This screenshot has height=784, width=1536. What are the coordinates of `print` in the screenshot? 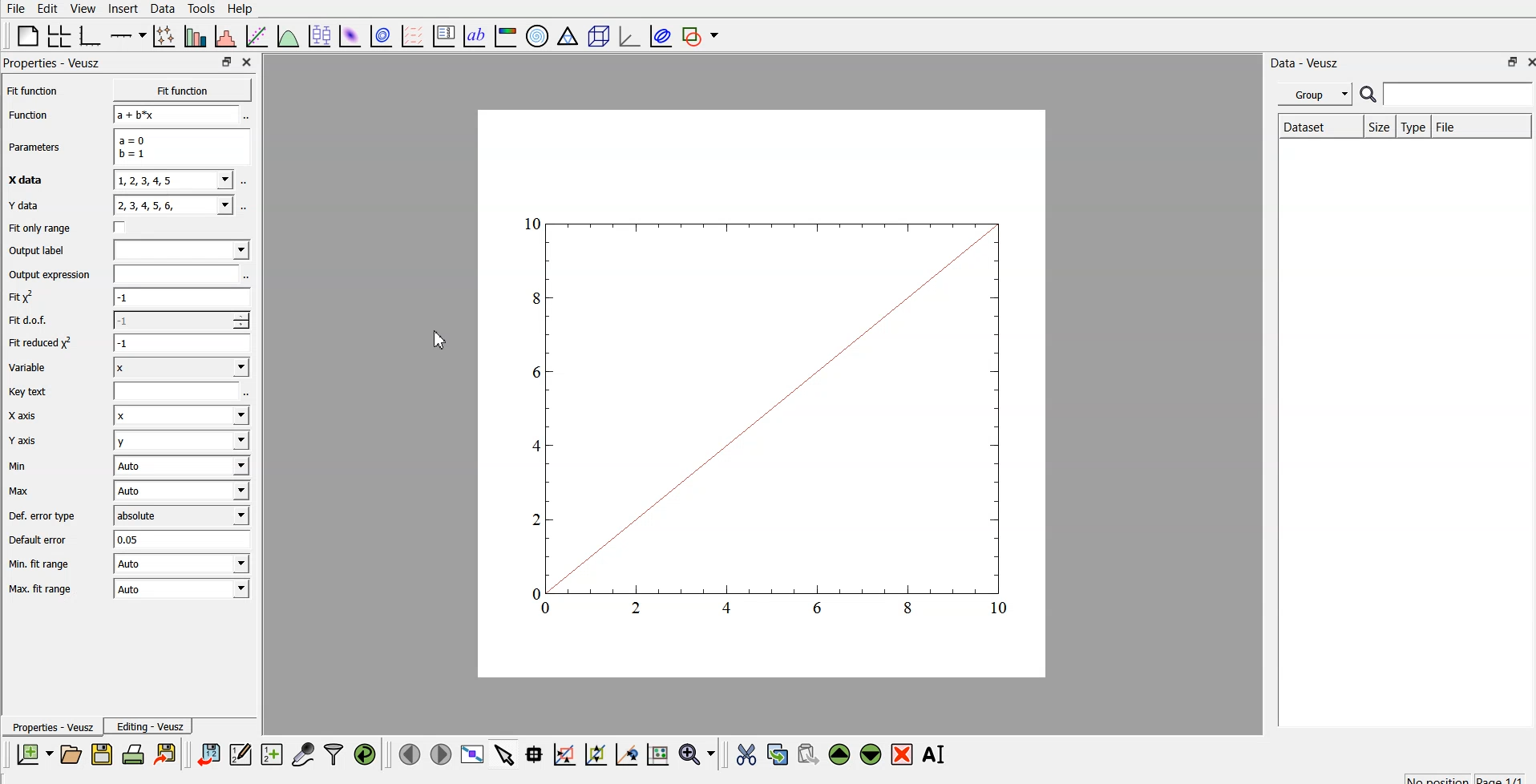 It's located at (134, 755).